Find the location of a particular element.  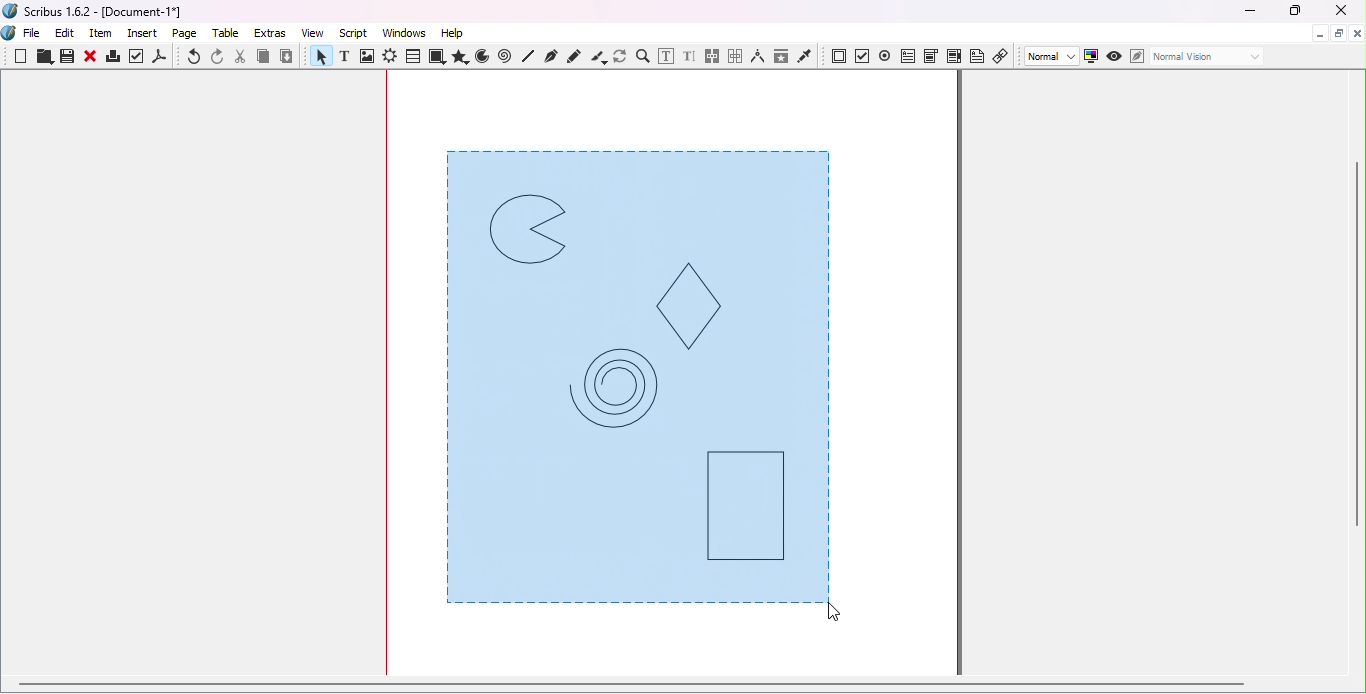

Close is located at coordinates (1337, 12).